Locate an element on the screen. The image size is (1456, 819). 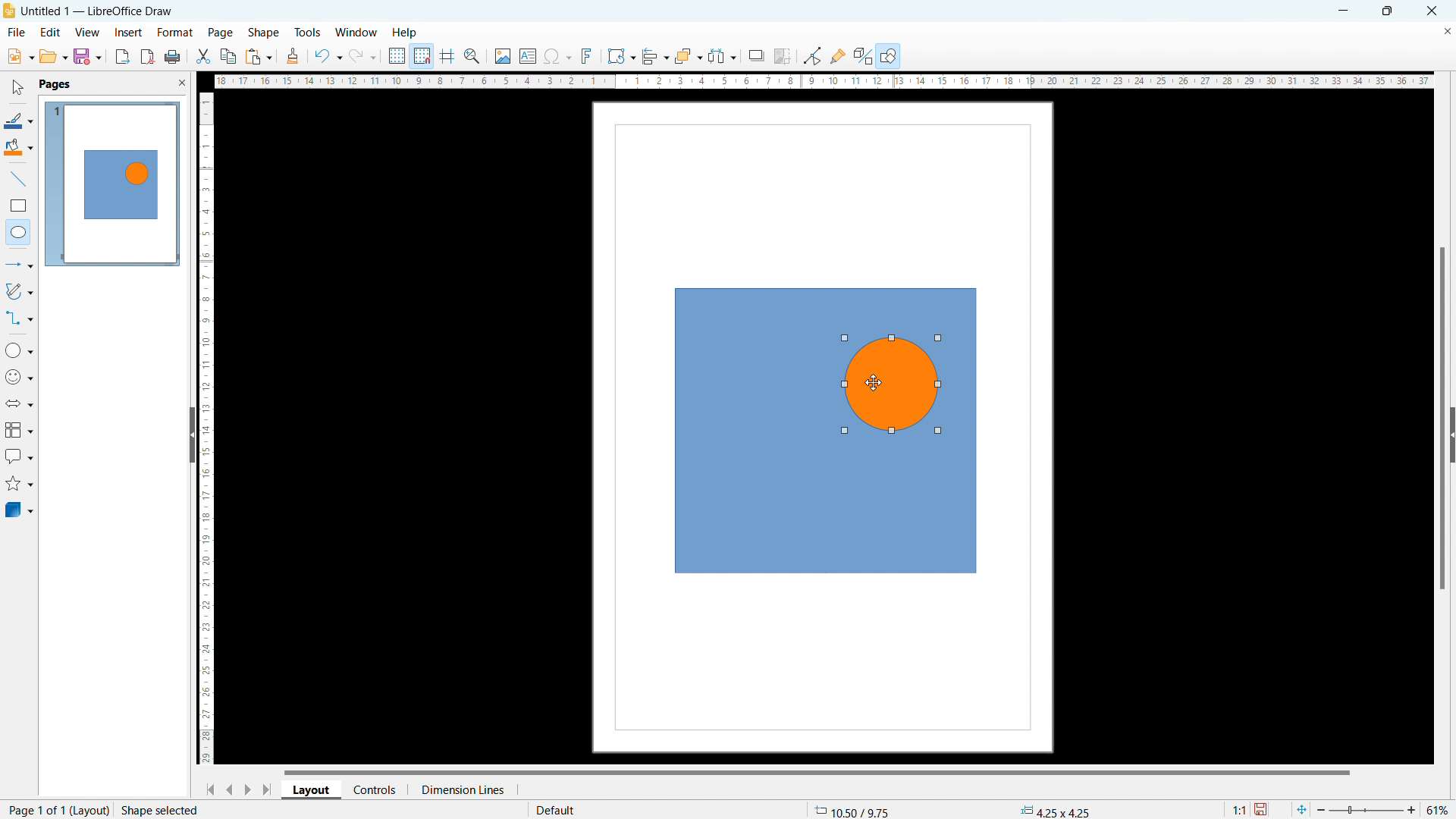
insert text box is located at coordinates (529, 55).